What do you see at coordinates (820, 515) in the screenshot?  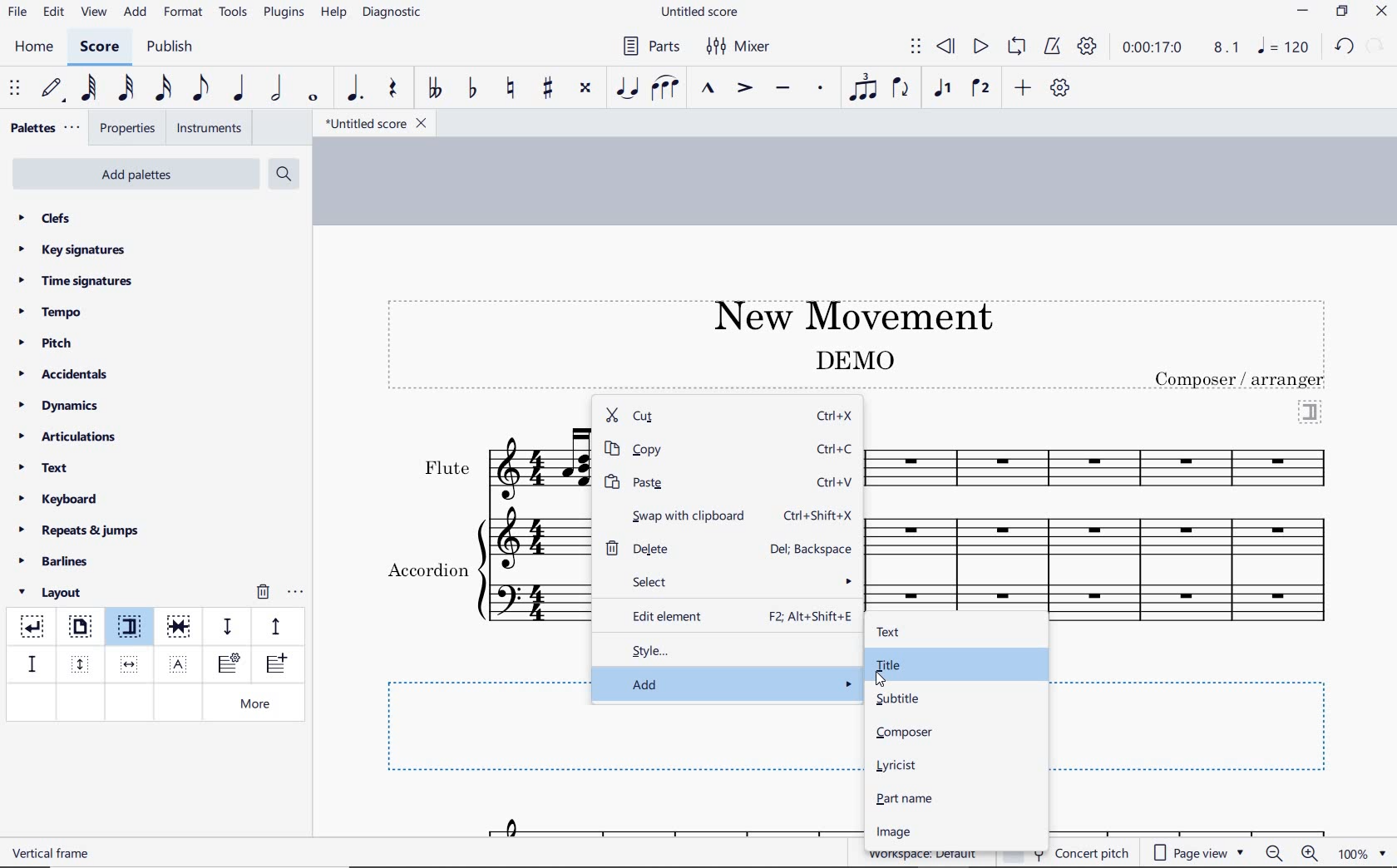 I see `Shortcut key` at bounding box center [820, 515].